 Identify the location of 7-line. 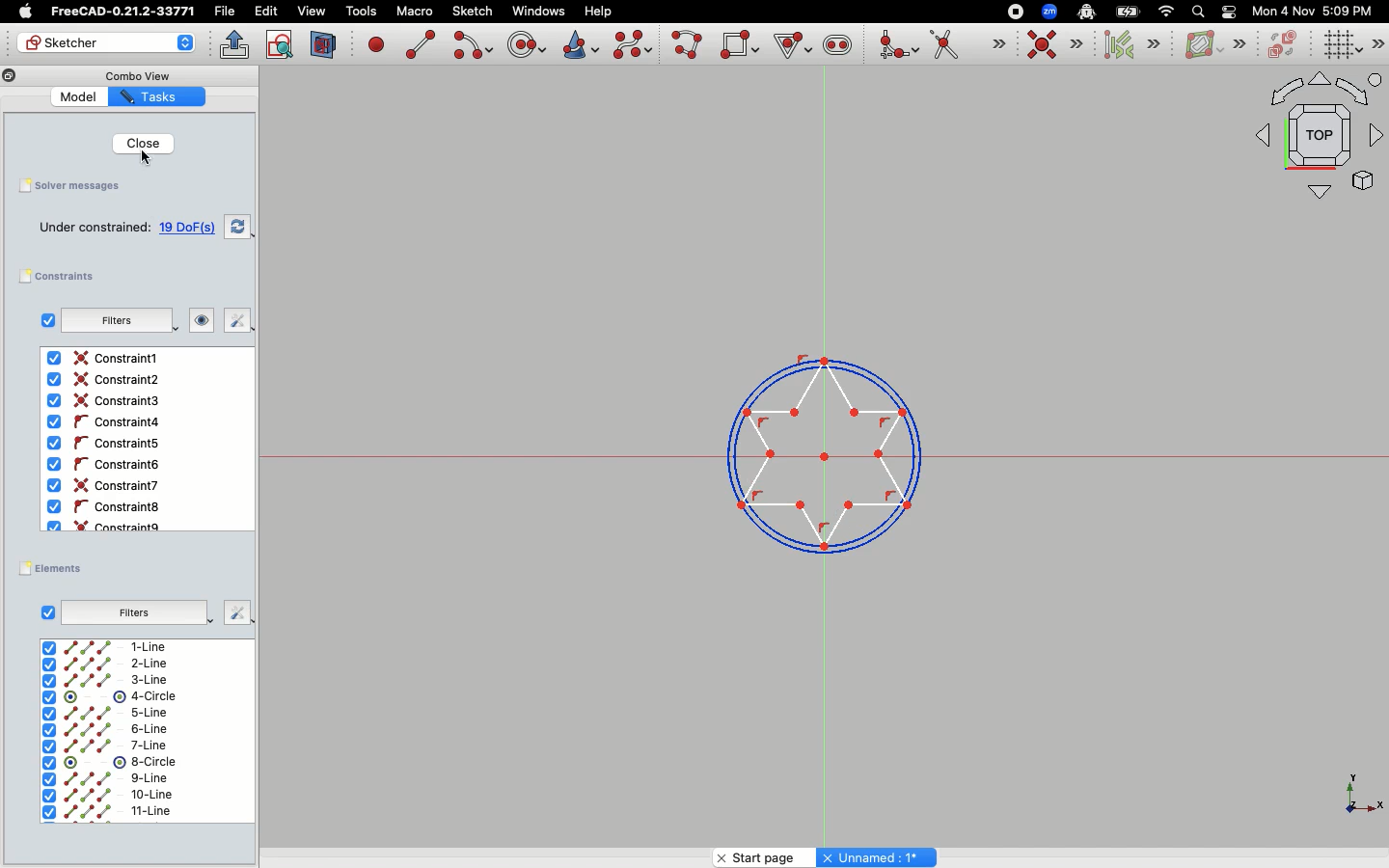
(106, 746).